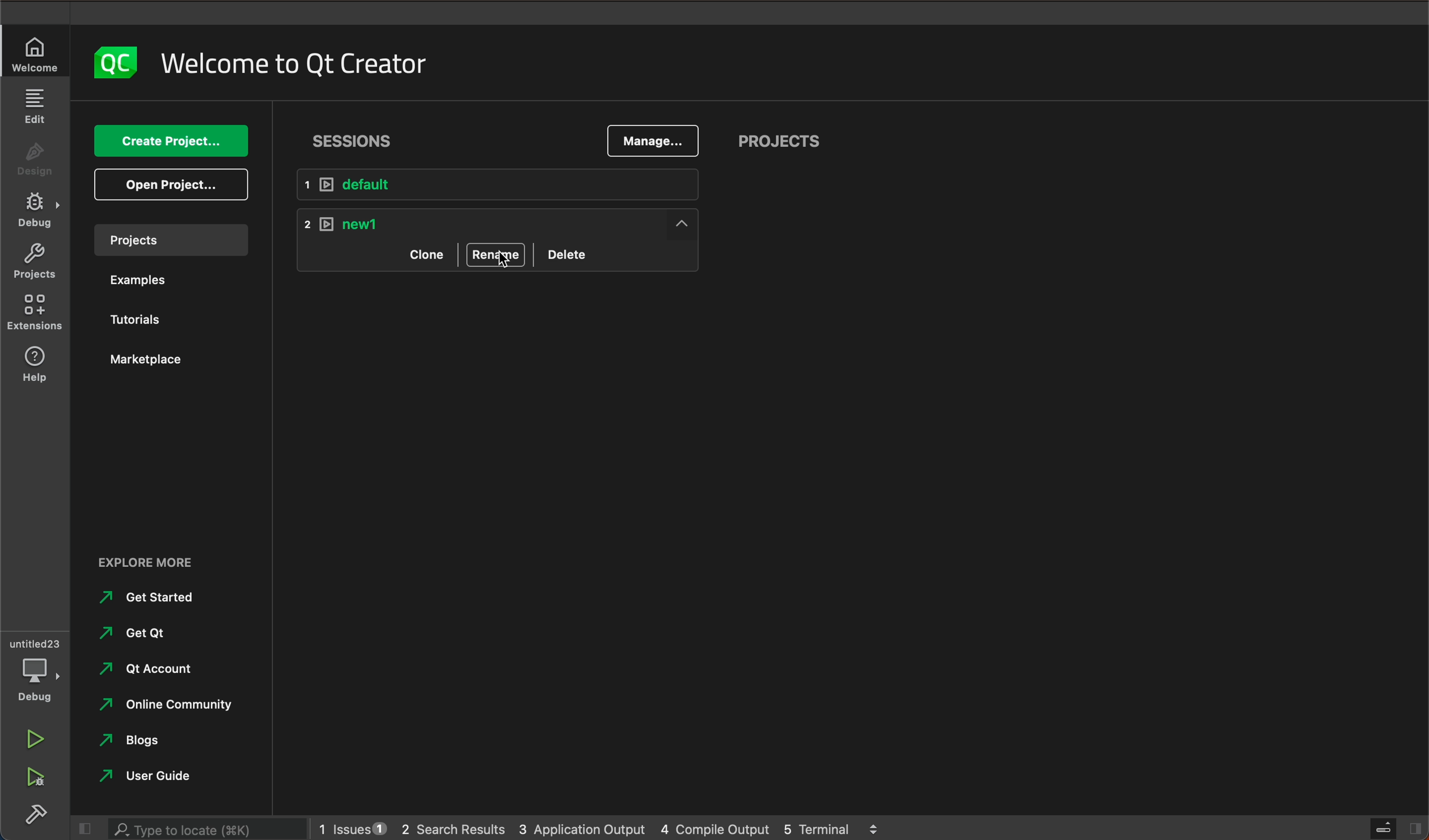 The height and width of the screenshot is (840, 1429). I want to click on close slidebar, so click(82, 829).